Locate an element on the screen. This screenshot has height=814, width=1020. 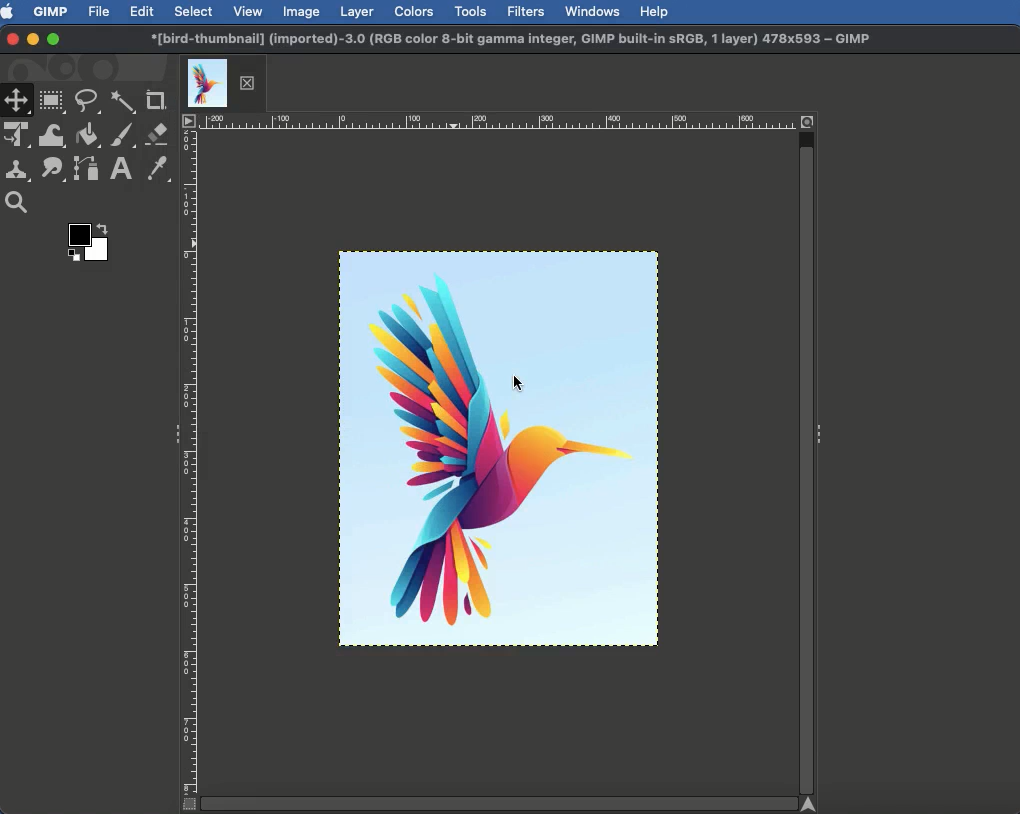
Paths is located at coordinates (86, 169).